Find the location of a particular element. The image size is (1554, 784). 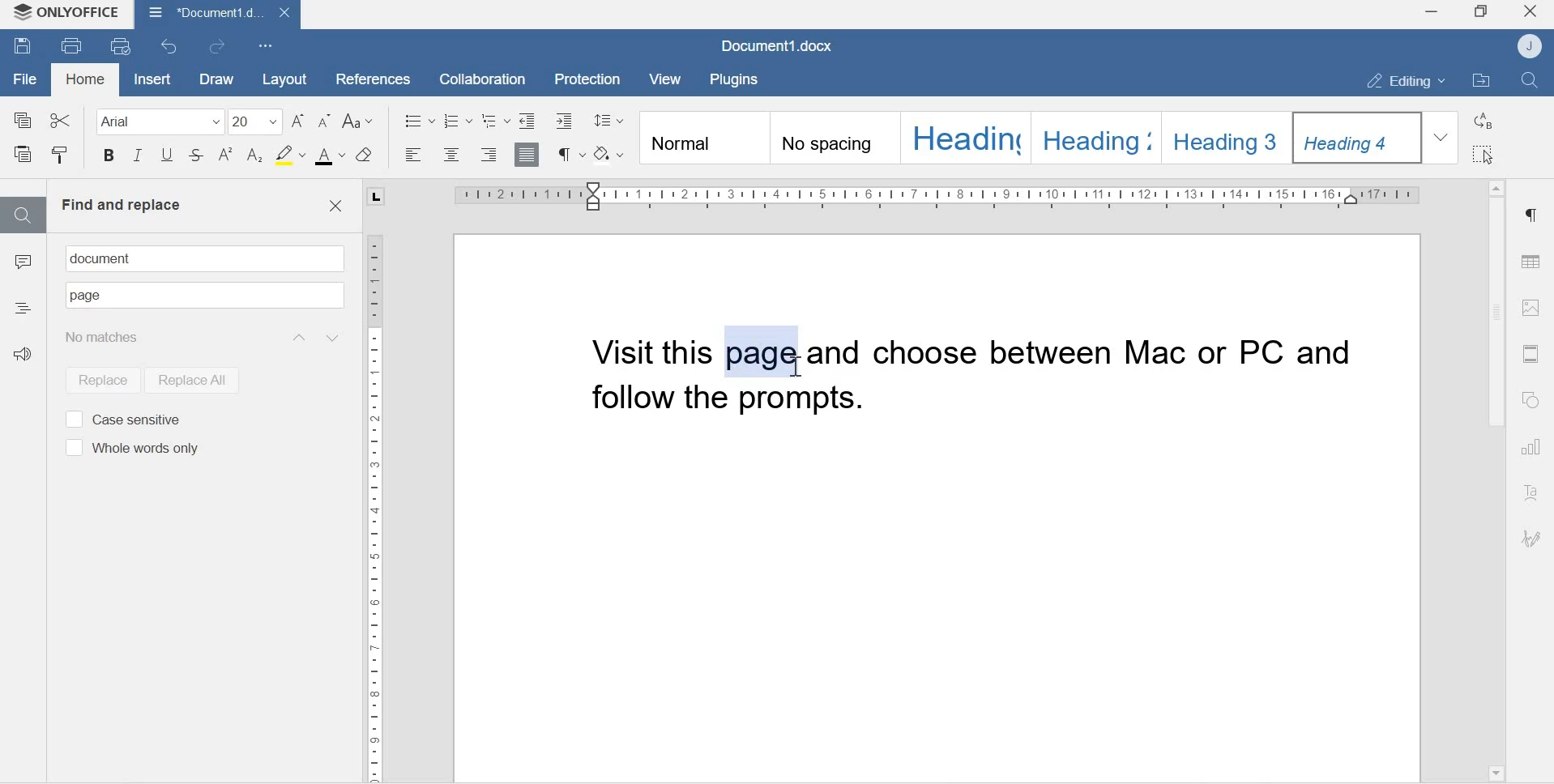

Redo is located at coordinates (221, 47).